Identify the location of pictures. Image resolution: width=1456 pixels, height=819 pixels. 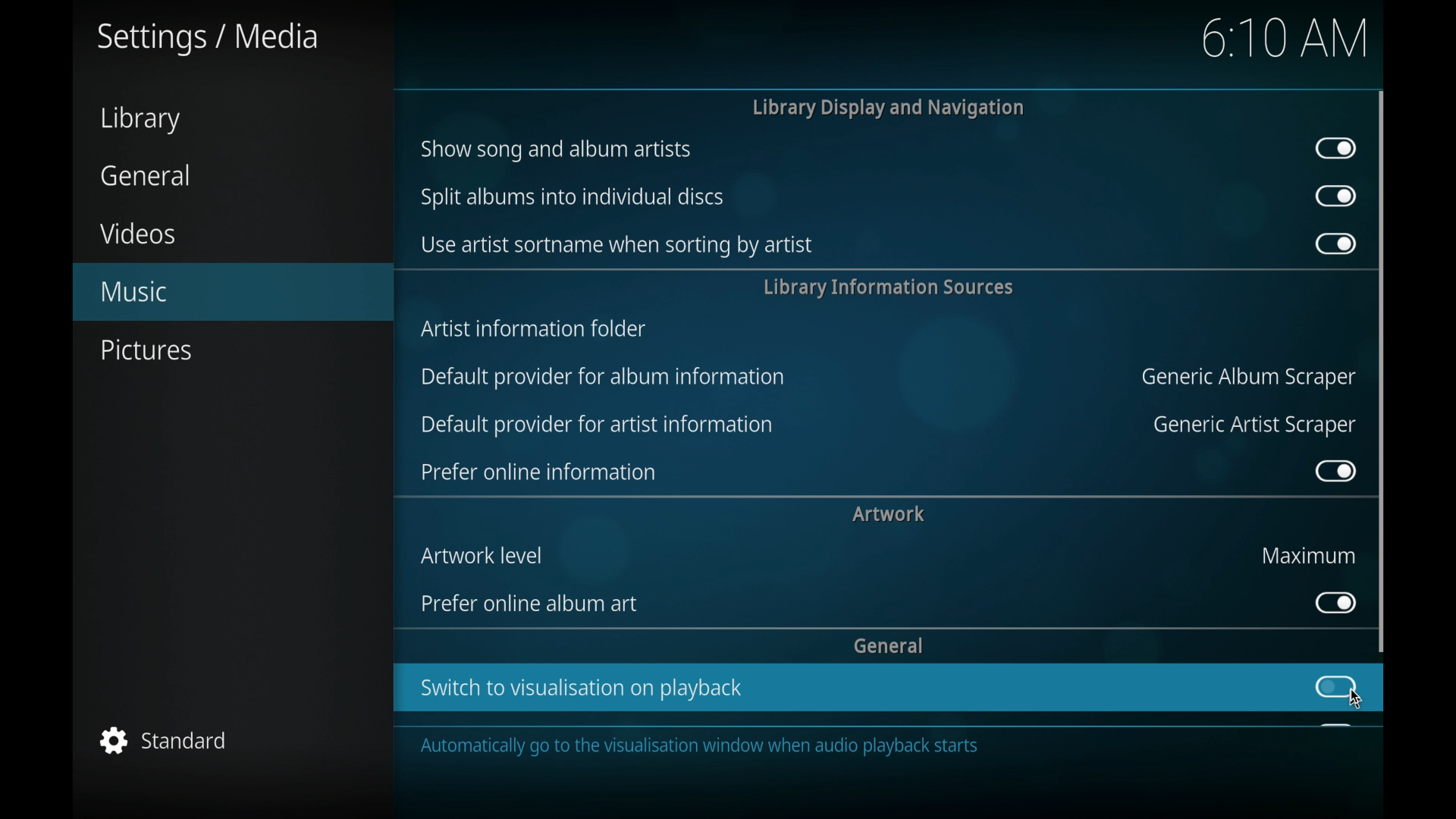
(146, 350).